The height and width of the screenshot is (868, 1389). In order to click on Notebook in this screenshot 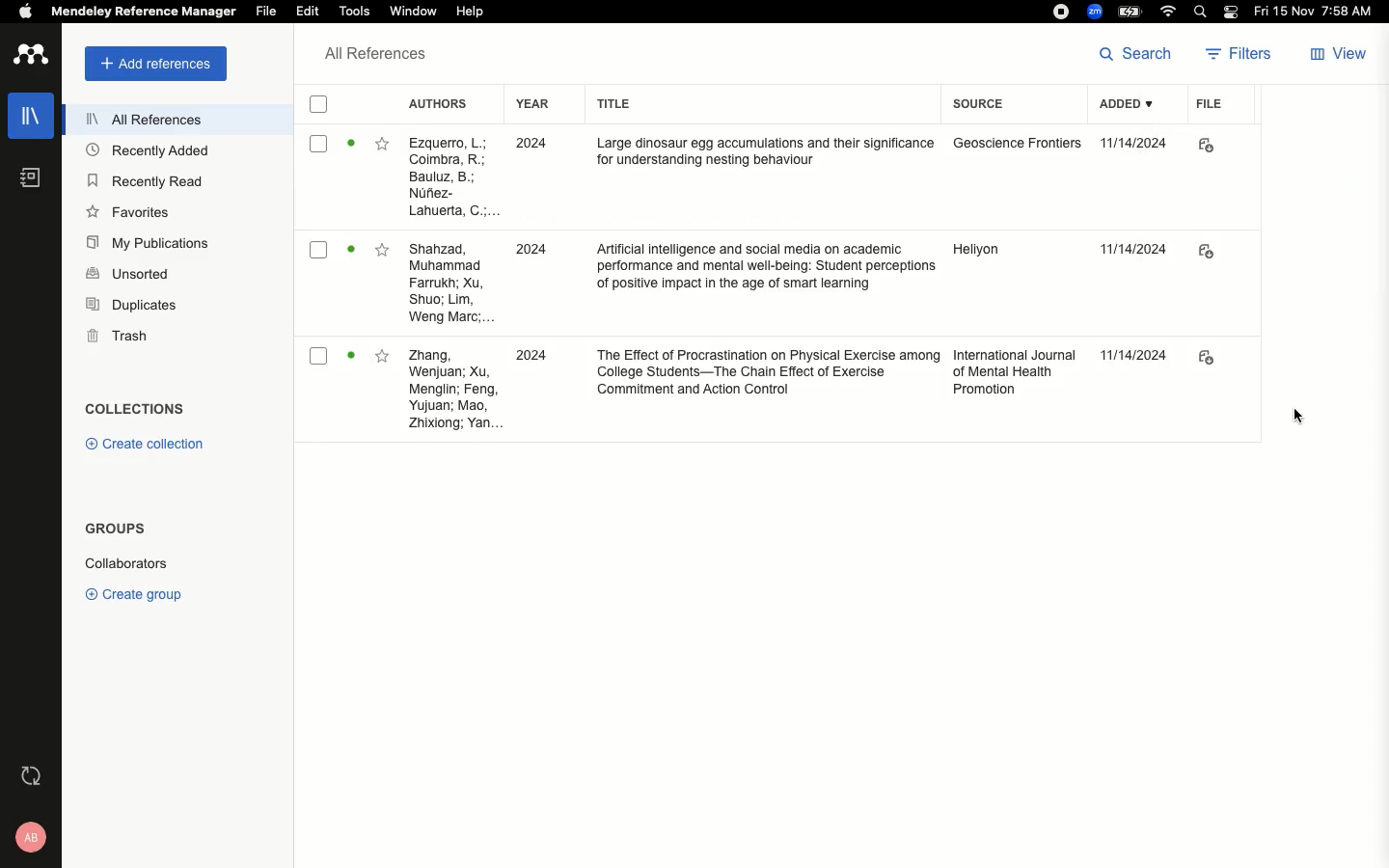, I will do `click(28, 181)`.